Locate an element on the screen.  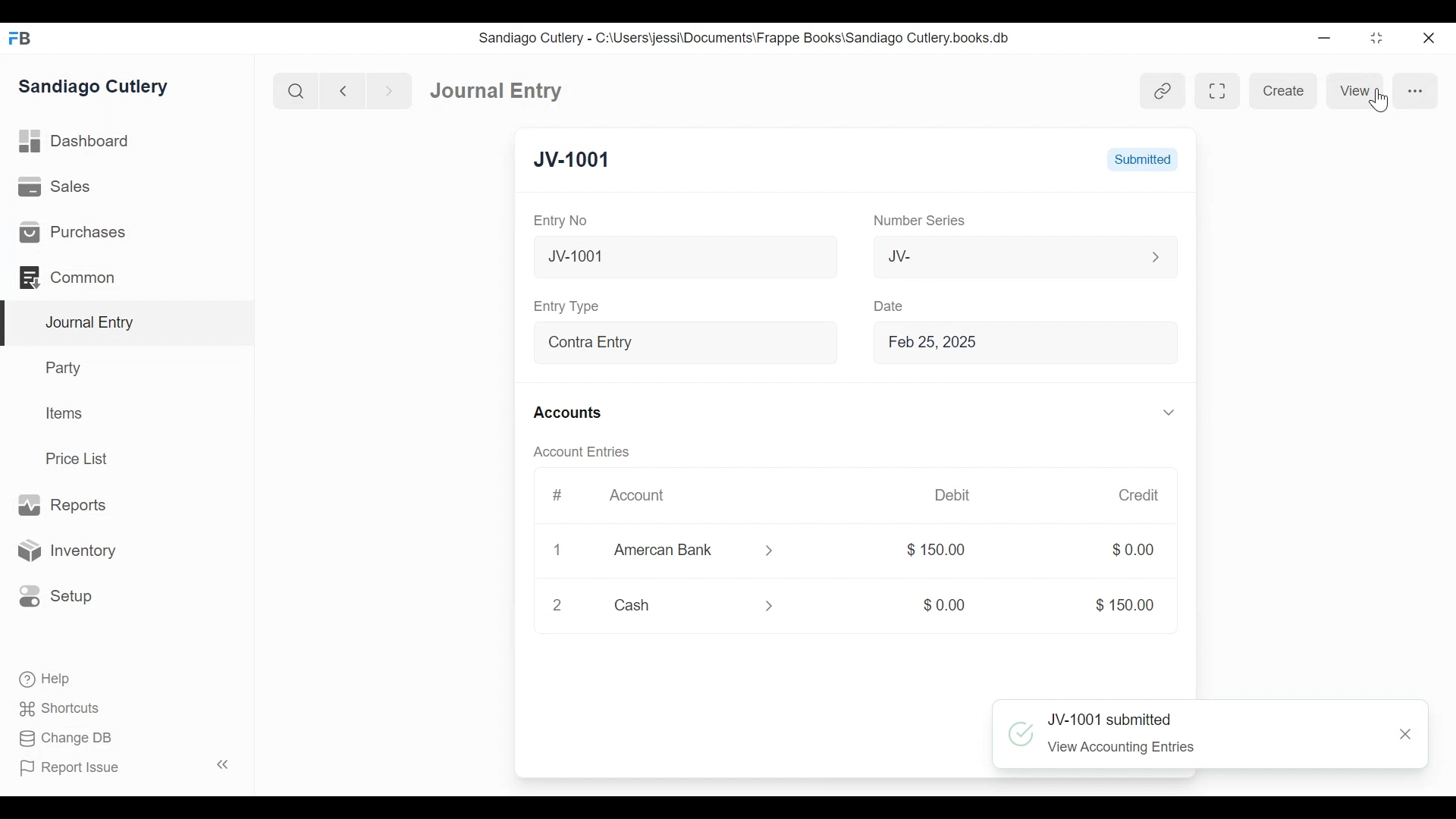
Search is located at coordinates (297, 91).